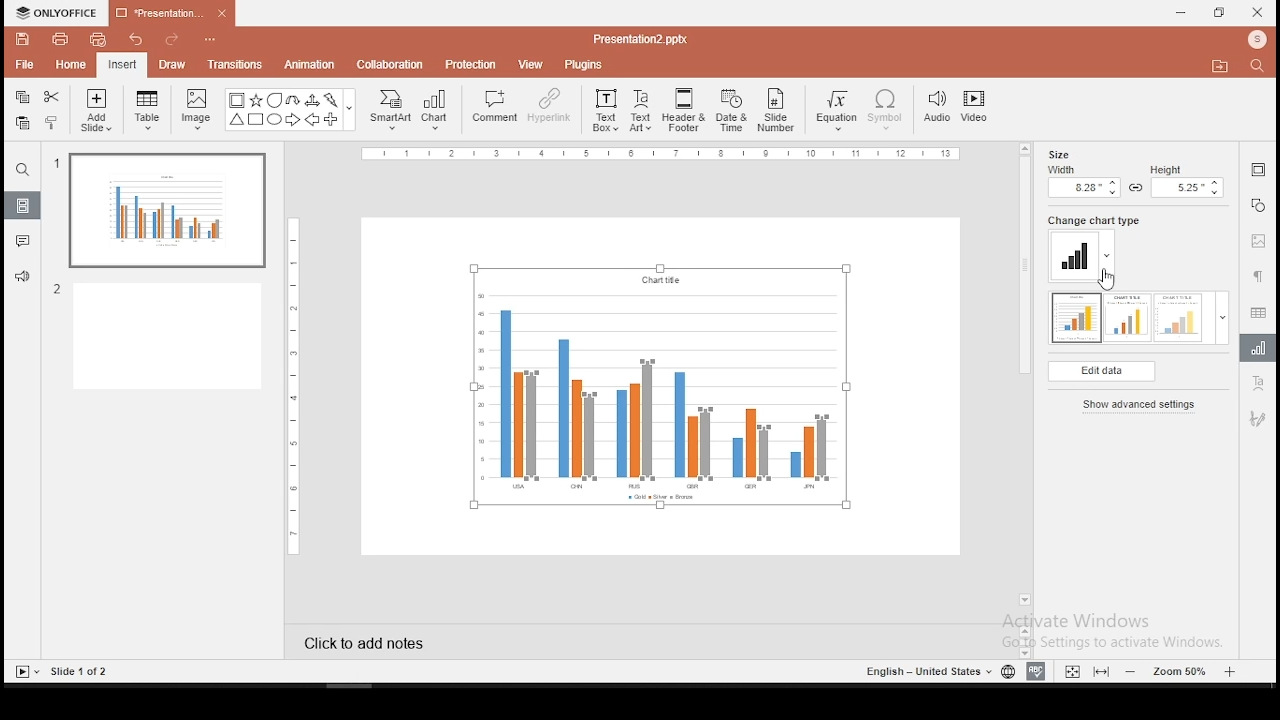  I want to click on image settings, so click(1258, 242).